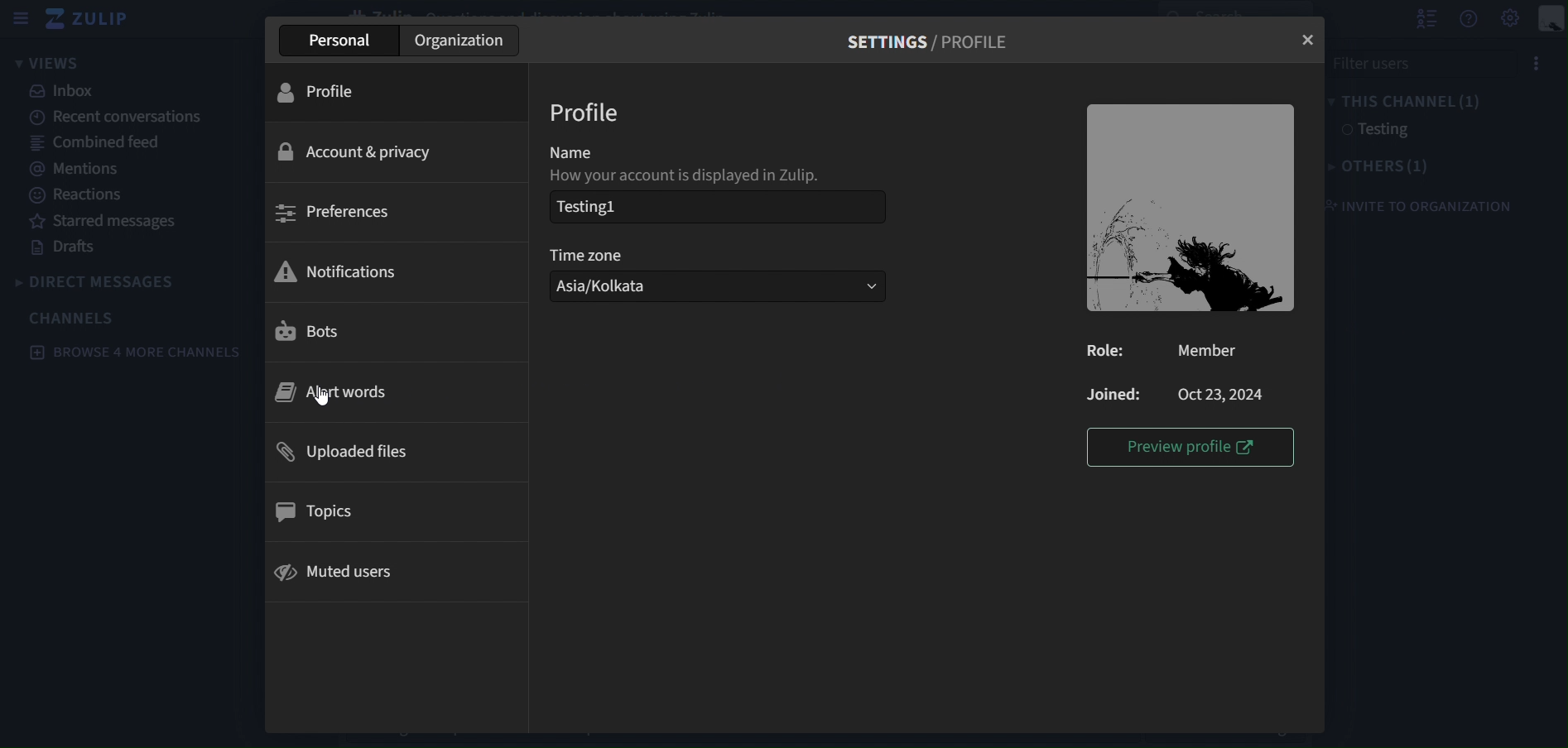 The image size is (1568, 748). What do you see at coordinates (599, 257) in the screenshot?
I see `time zone` at bounding box center [599, 257].